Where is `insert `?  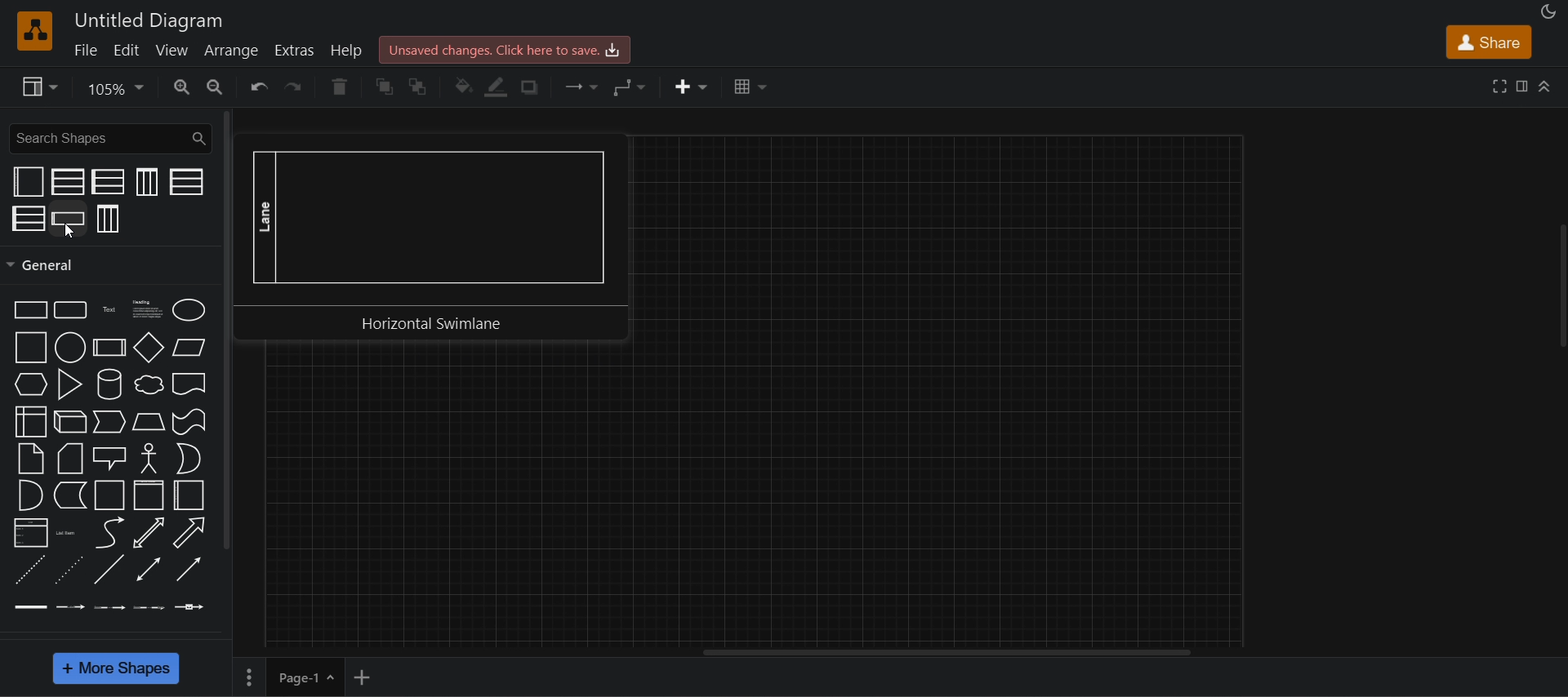 insert  is located at coordinates (693, 87).